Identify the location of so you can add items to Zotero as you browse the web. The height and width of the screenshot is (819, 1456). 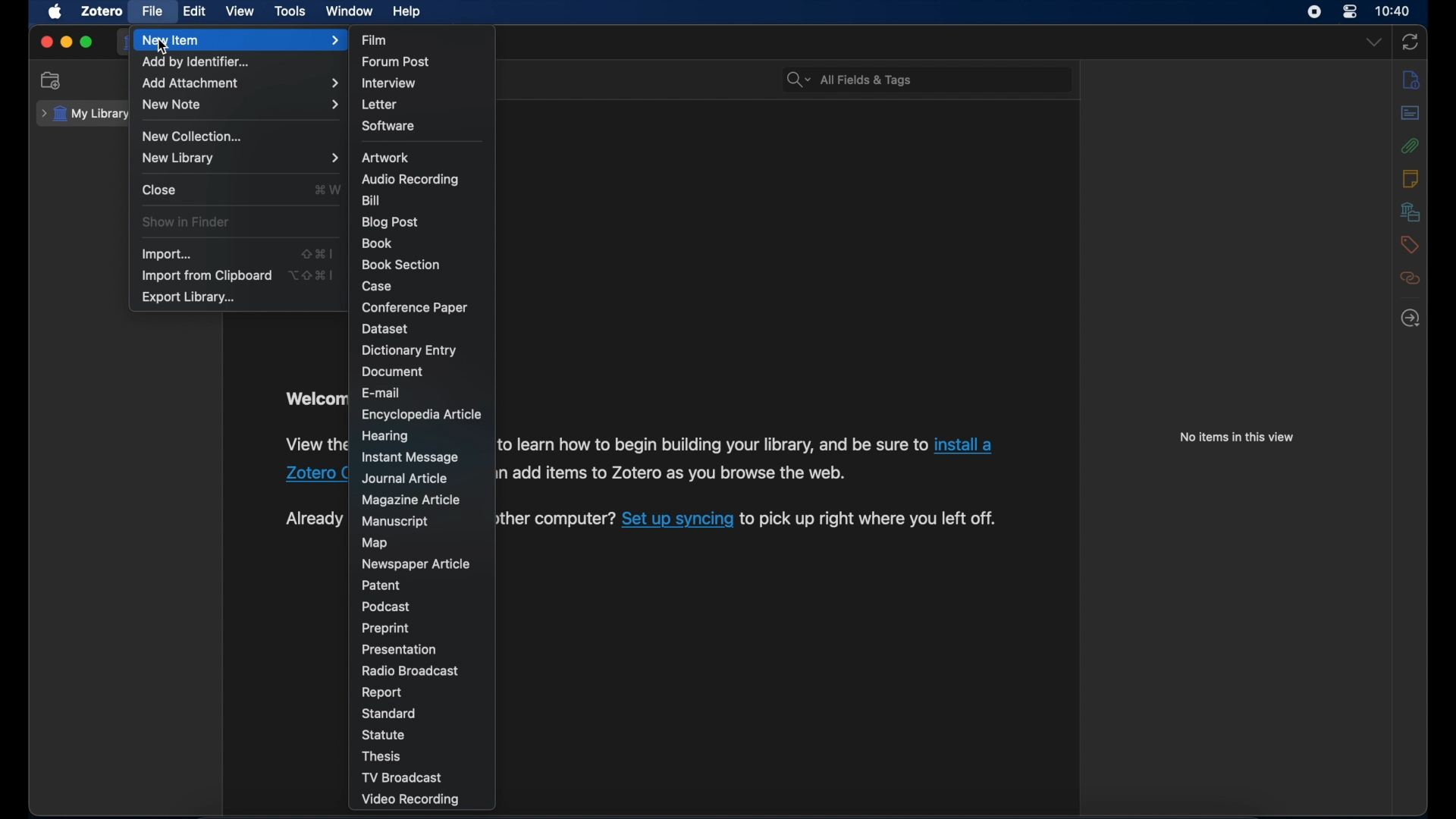
(672, 475).